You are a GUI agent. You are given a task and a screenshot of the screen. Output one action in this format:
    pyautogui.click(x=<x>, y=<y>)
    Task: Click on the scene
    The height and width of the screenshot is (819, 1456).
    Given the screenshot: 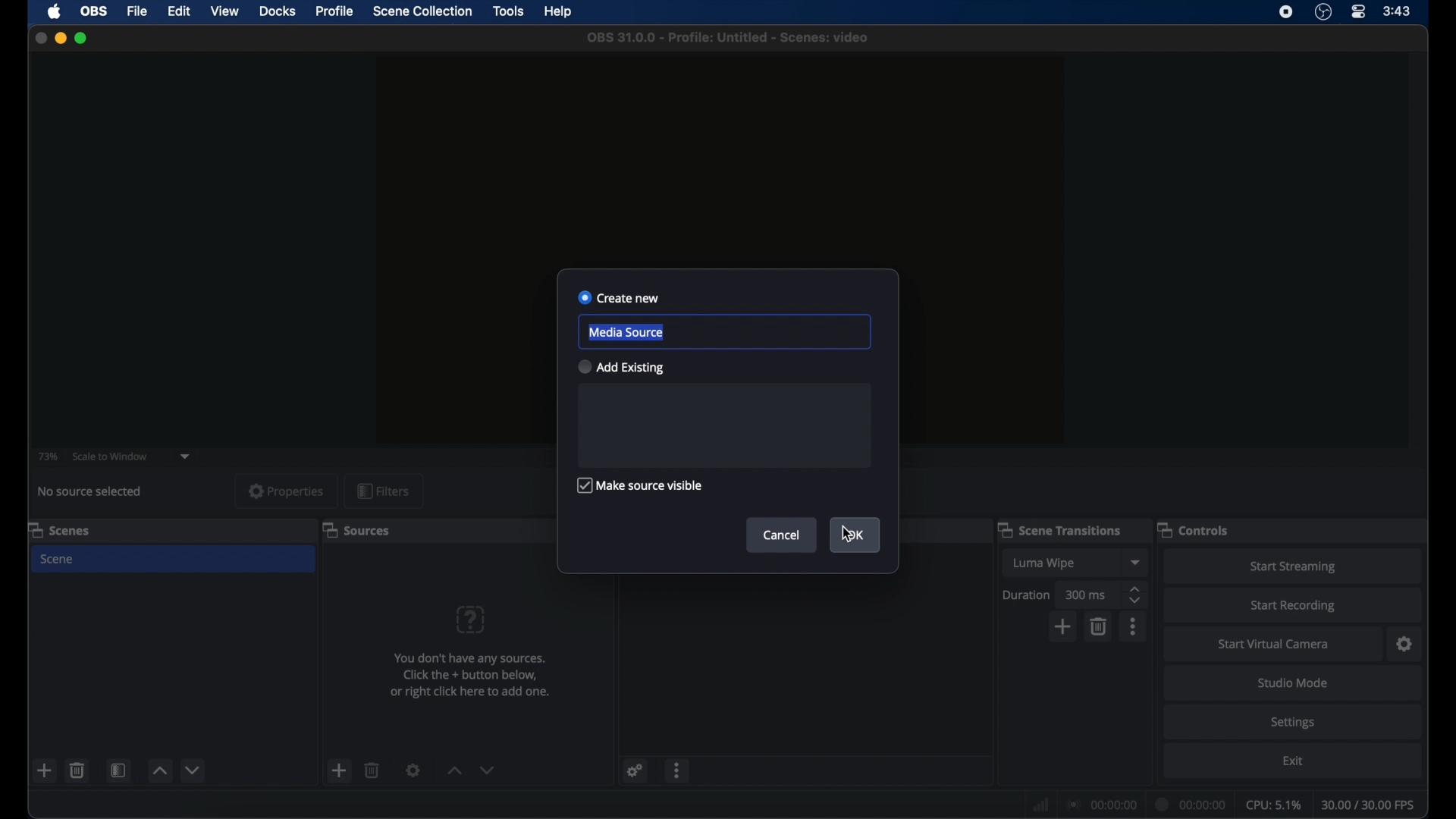 What is the action you would take?
    pyautogui.click(x=58, y=560)
    